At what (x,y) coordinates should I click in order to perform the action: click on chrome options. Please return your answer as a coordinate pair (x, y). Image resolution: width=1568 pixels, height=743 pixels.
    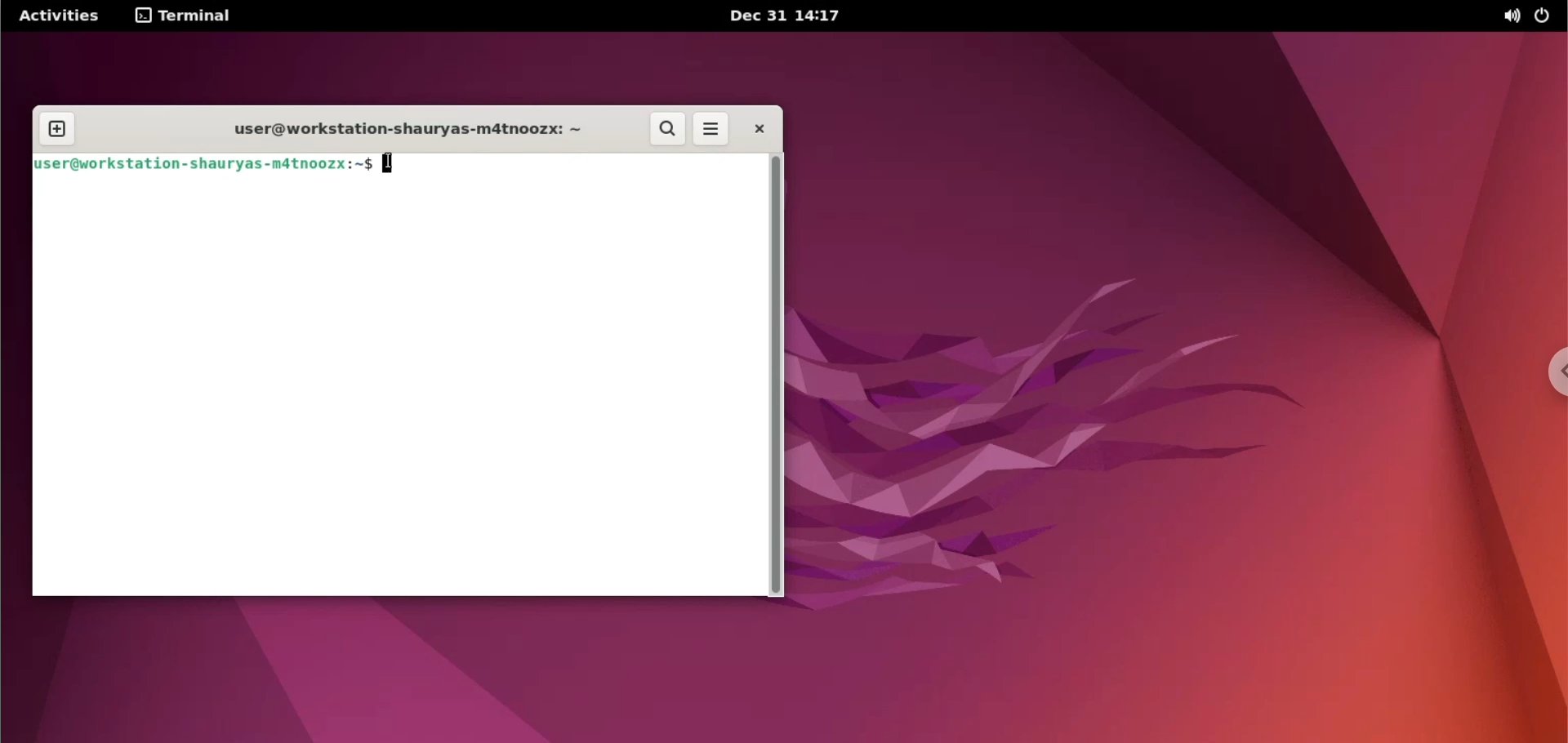
    Looking at the image, I should click on (1553, 369).